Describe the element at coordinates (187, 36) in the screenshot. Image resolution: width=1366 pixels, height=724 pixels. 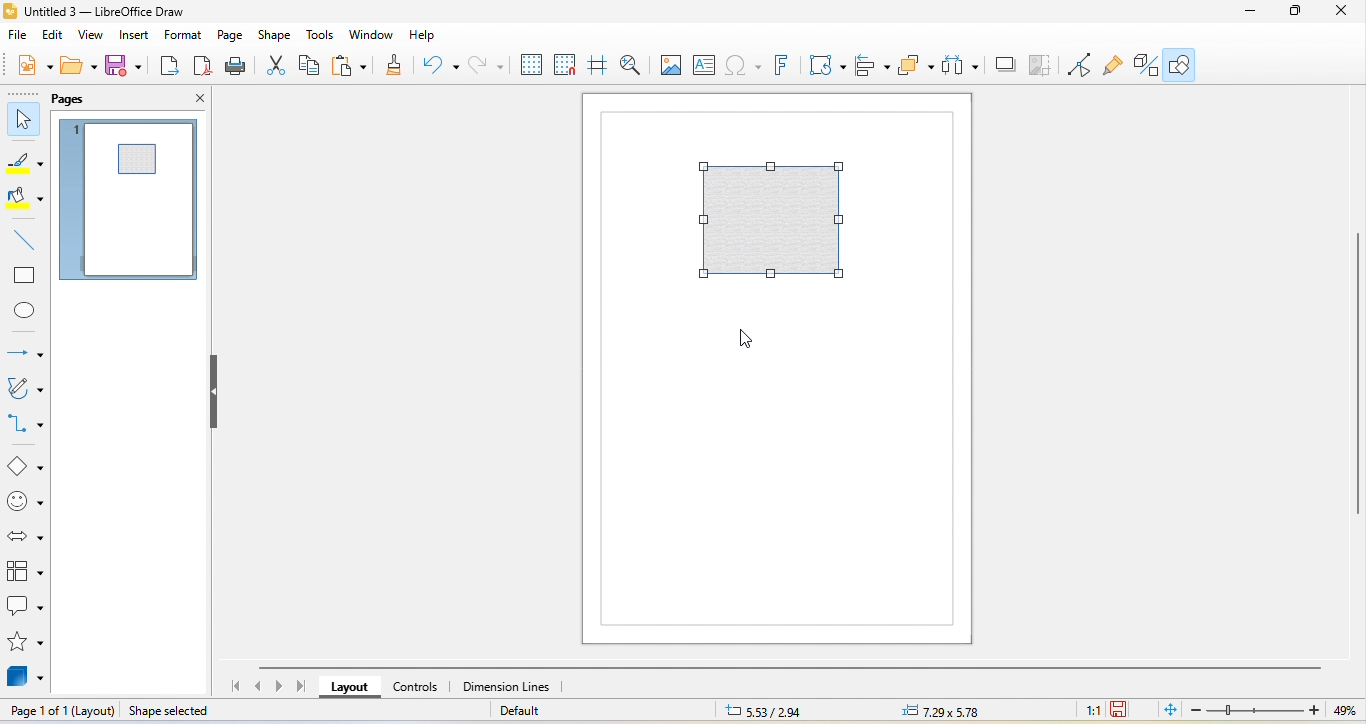
I see `format` at that location.